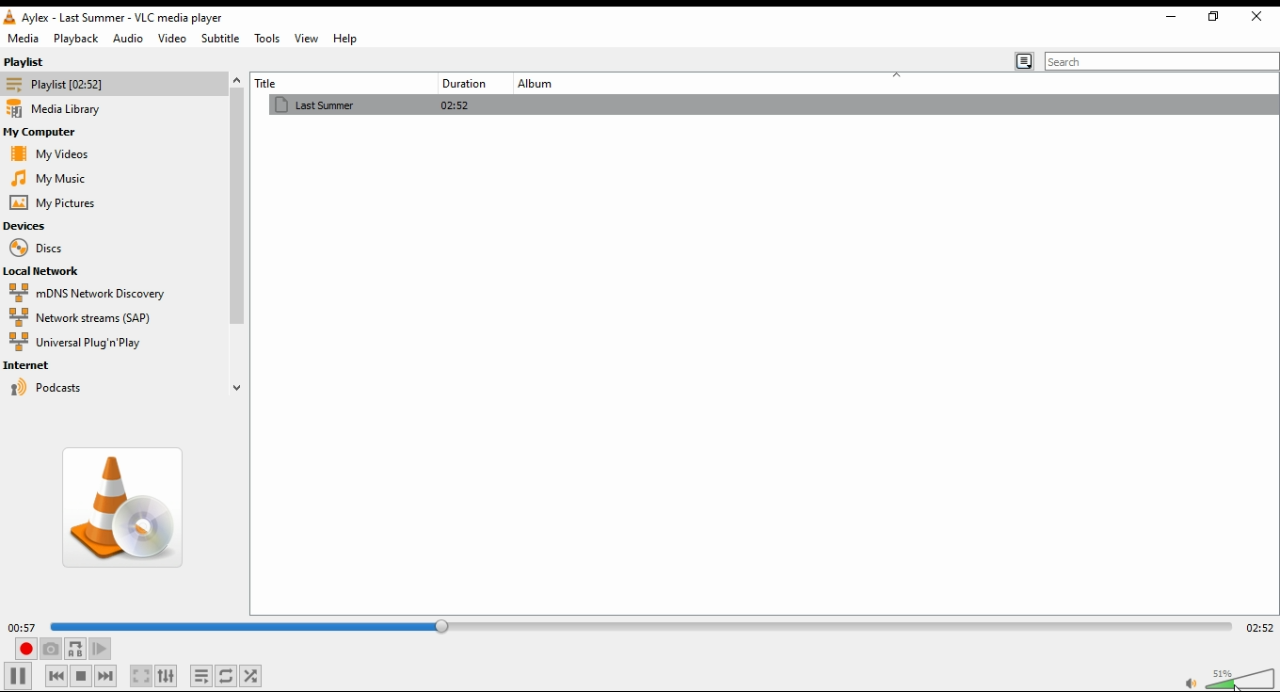 The image size is (1280, 692). I want to click on media library, so click(60, 109).